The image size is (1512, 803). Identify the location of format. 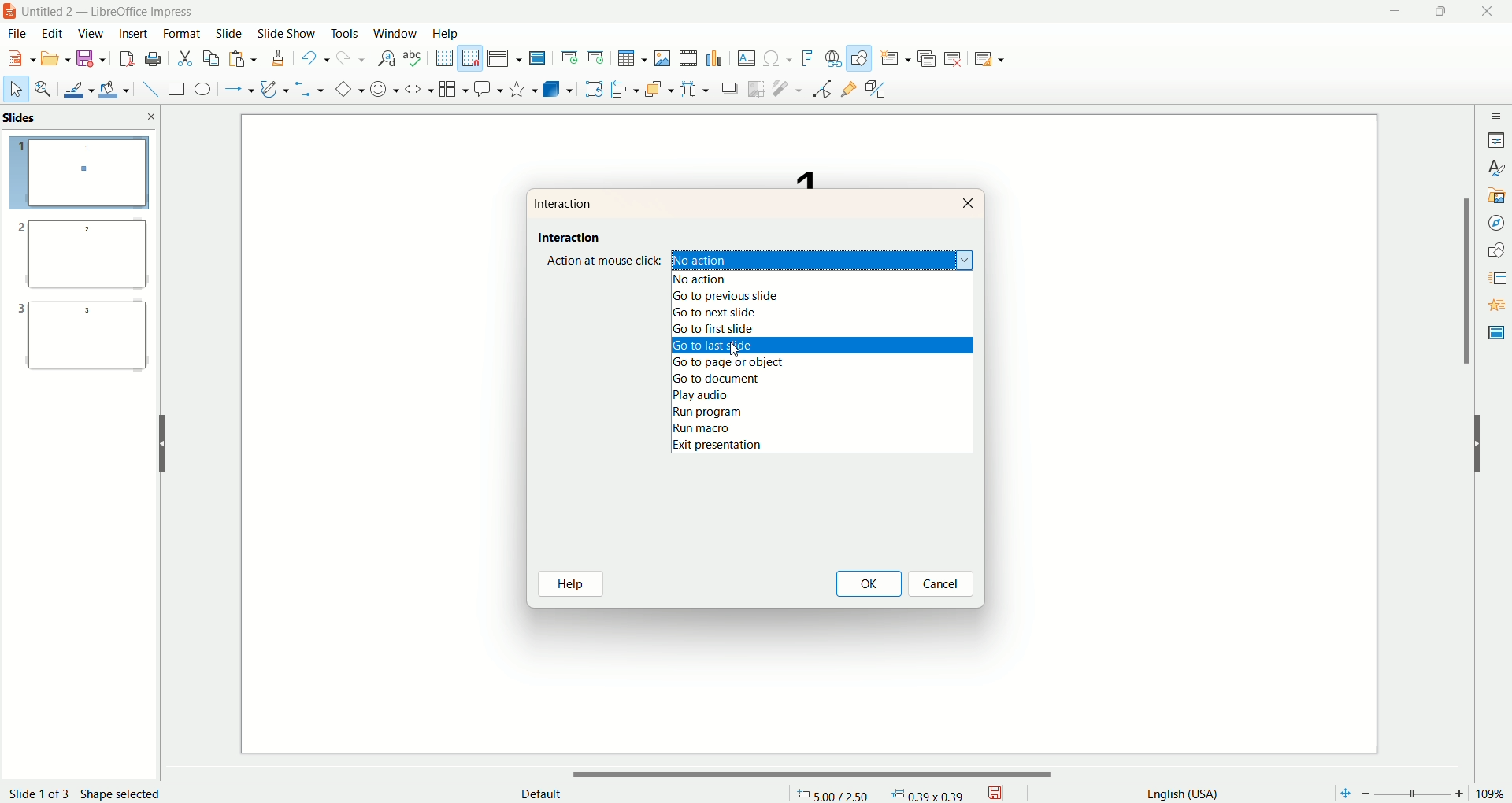
(183, 32).